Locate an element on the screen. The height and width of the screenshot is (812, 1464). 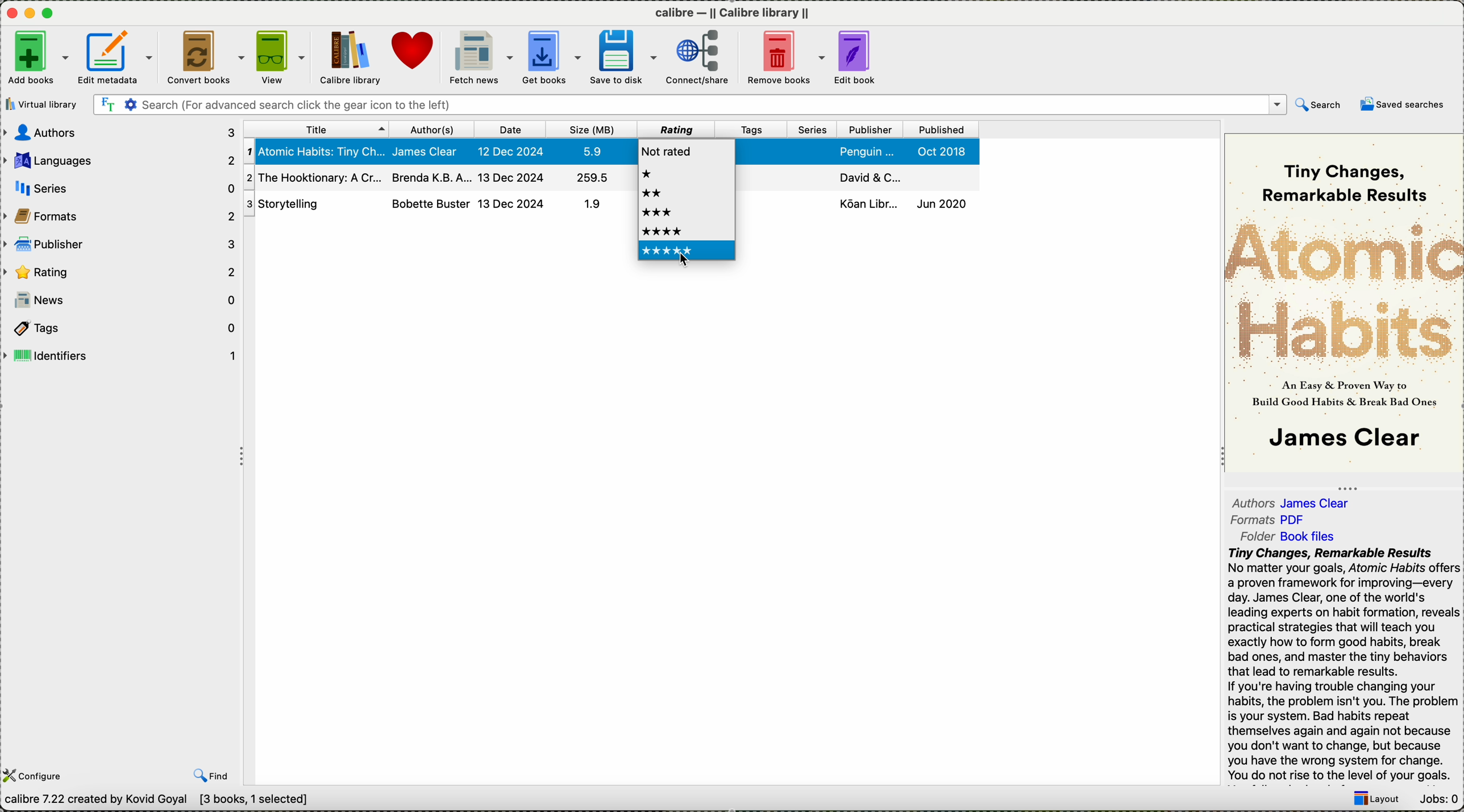
edit book is located at coordinates (858, 57).